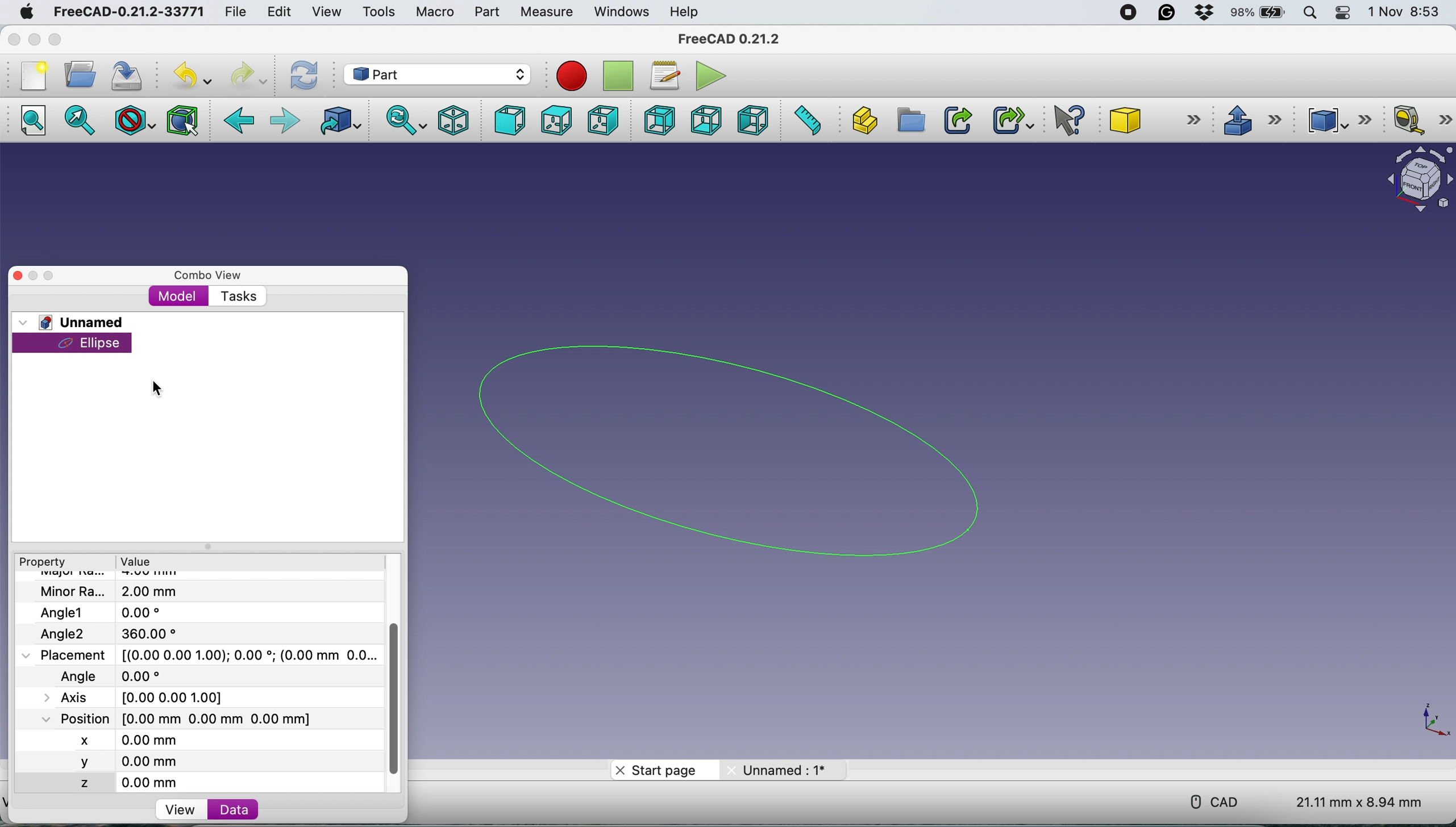  Describe the element at coordinates (53, 278) in the screenshot. I see `maximise` at that location.